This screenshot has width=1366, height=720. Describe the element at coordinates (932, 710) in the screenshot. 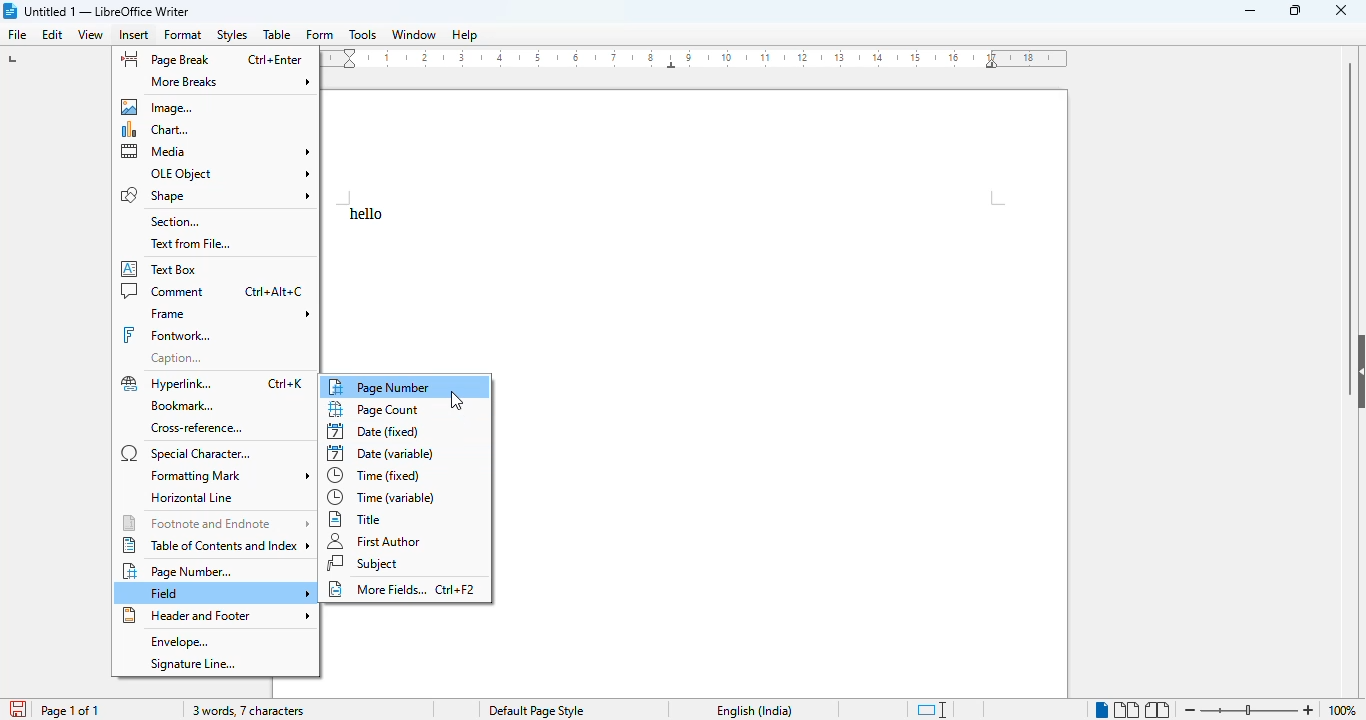

I see `standard selection` at that location.